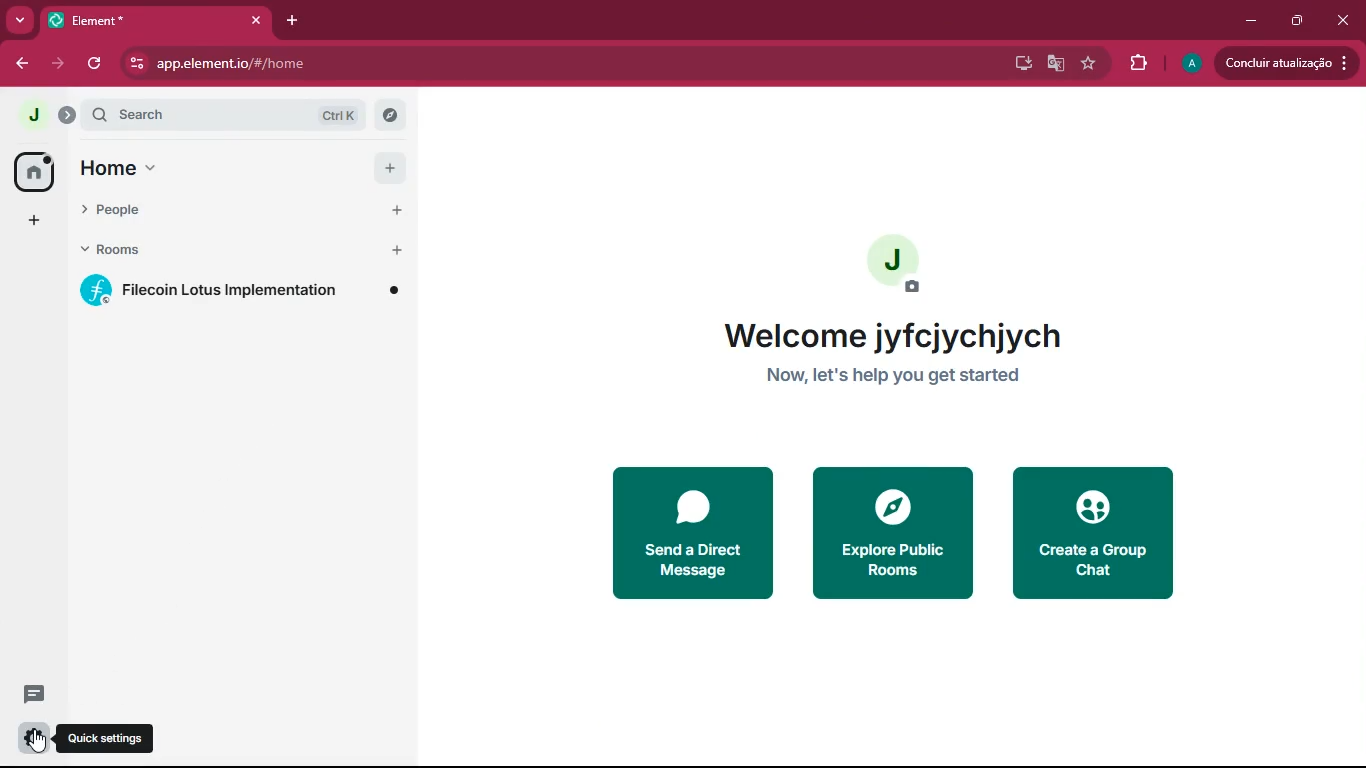 This screenshot has height=768, width=1366. What do you see at coordinates (437, 63) in the screenshot?
I see `app.elementio/#/home` at bounding box center [437, 63].